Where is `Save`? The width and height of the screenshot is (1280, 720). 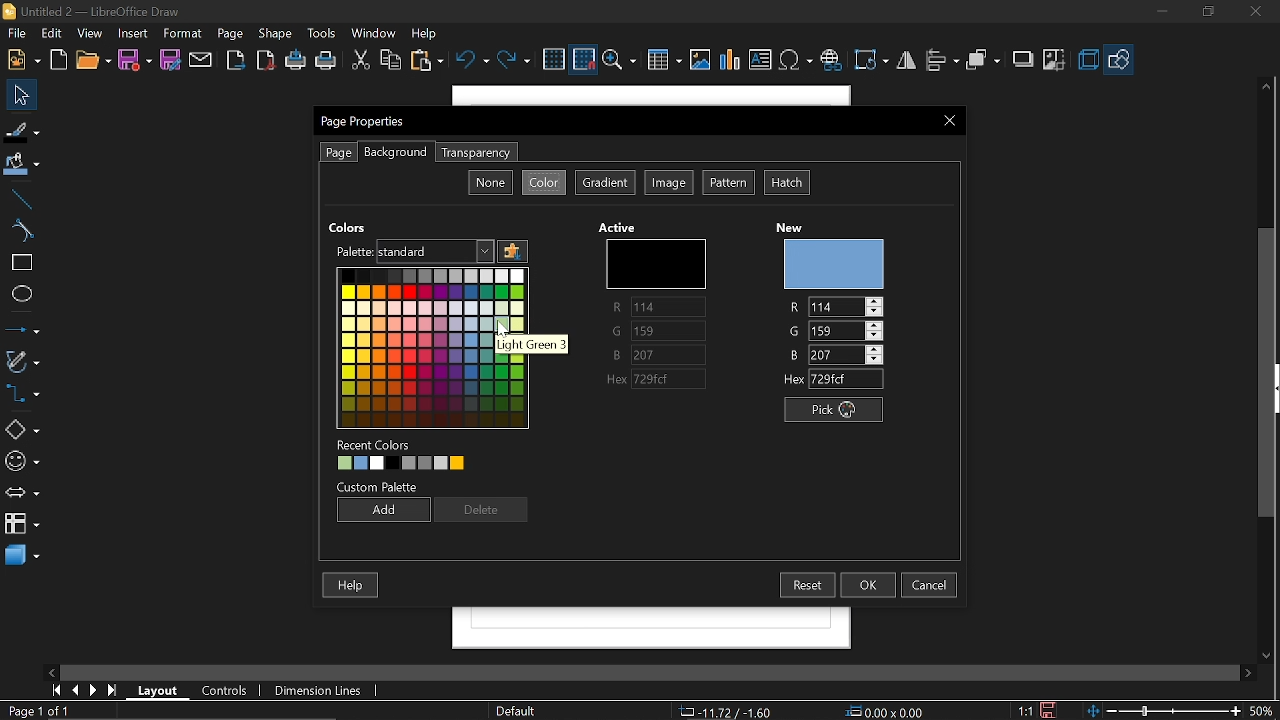 Save is located at coordinates (1049, 710).